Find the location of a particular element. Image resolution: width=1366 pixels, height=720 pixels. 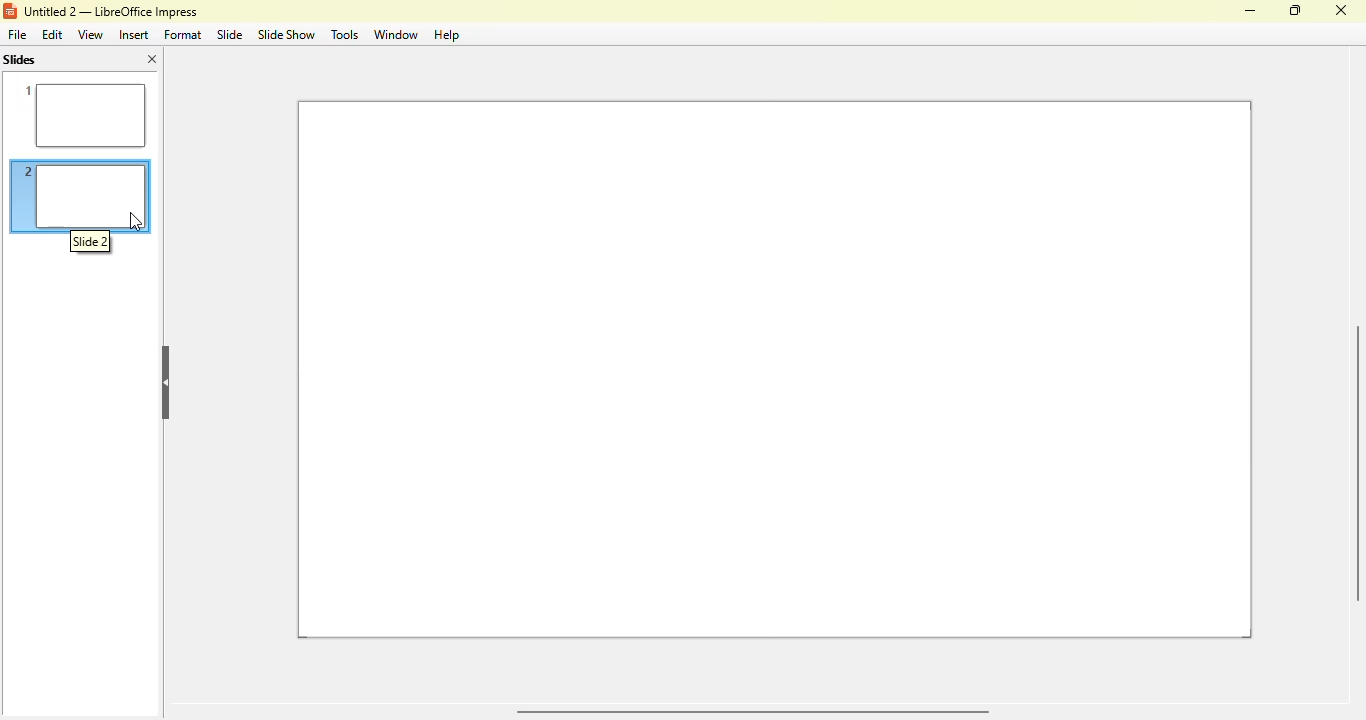

edit is located at coordinates (53, 35).